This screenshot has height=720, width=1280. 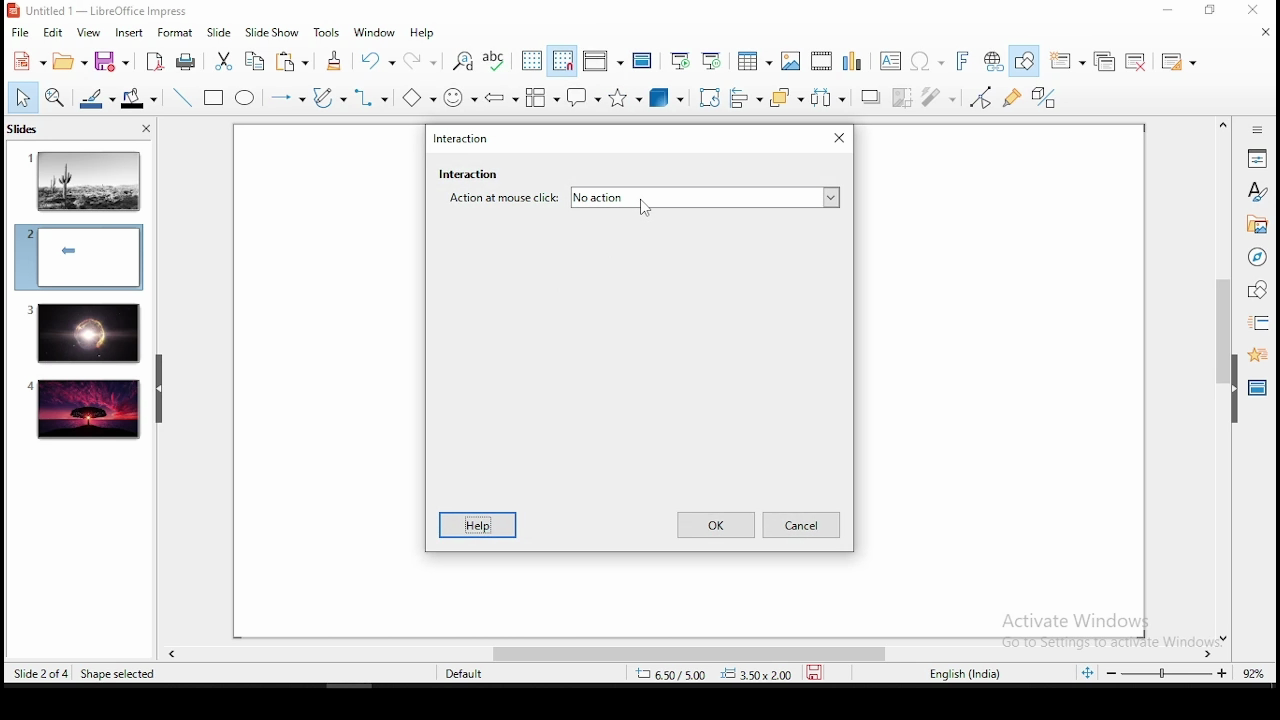 What do you see at coordinates (870, 95) in the screenshot?
I see `shadow` at bounding box center [870, 95].